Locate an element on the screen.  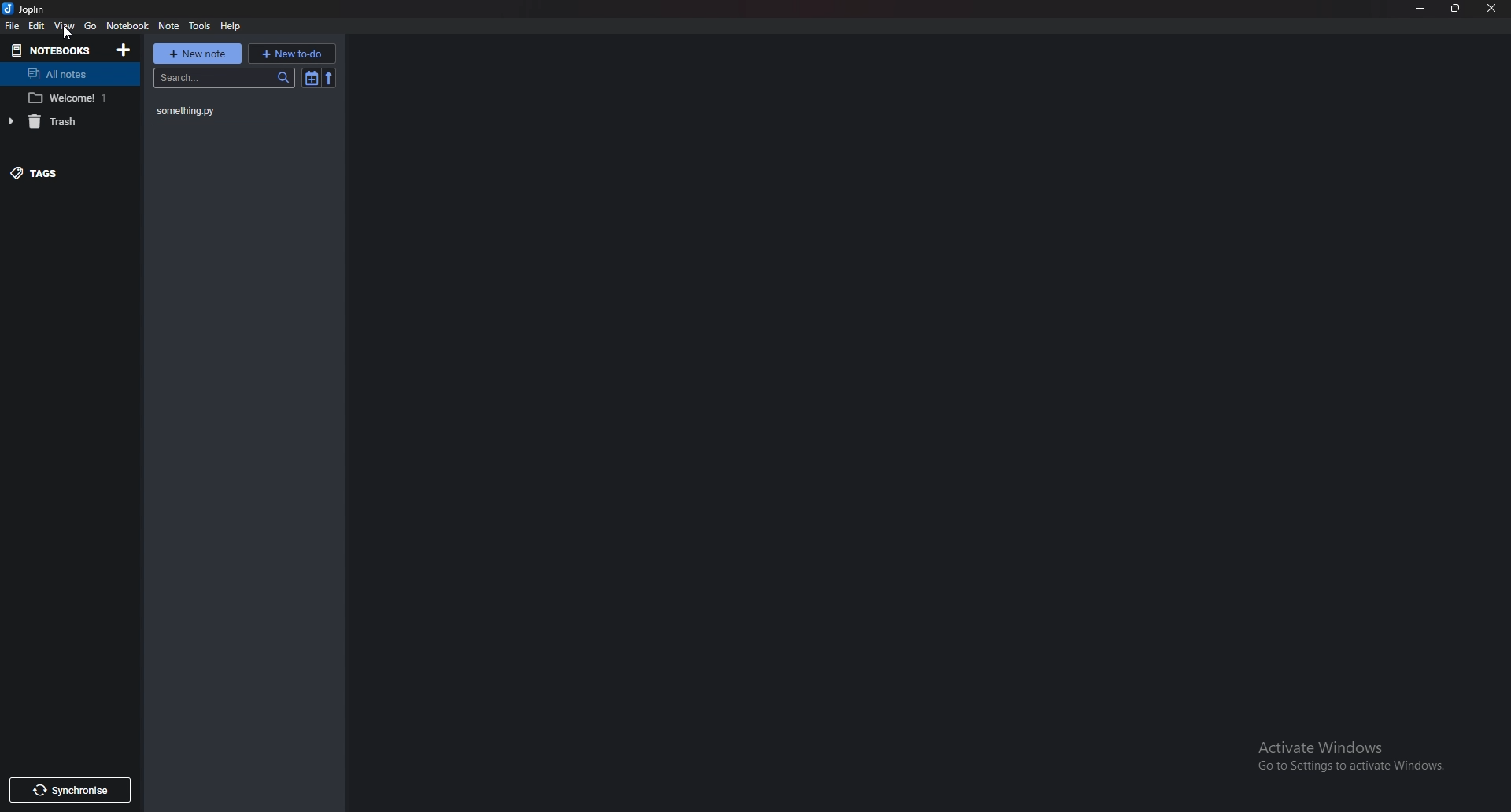
Reverse sort order is located at coordinates (329, 78).